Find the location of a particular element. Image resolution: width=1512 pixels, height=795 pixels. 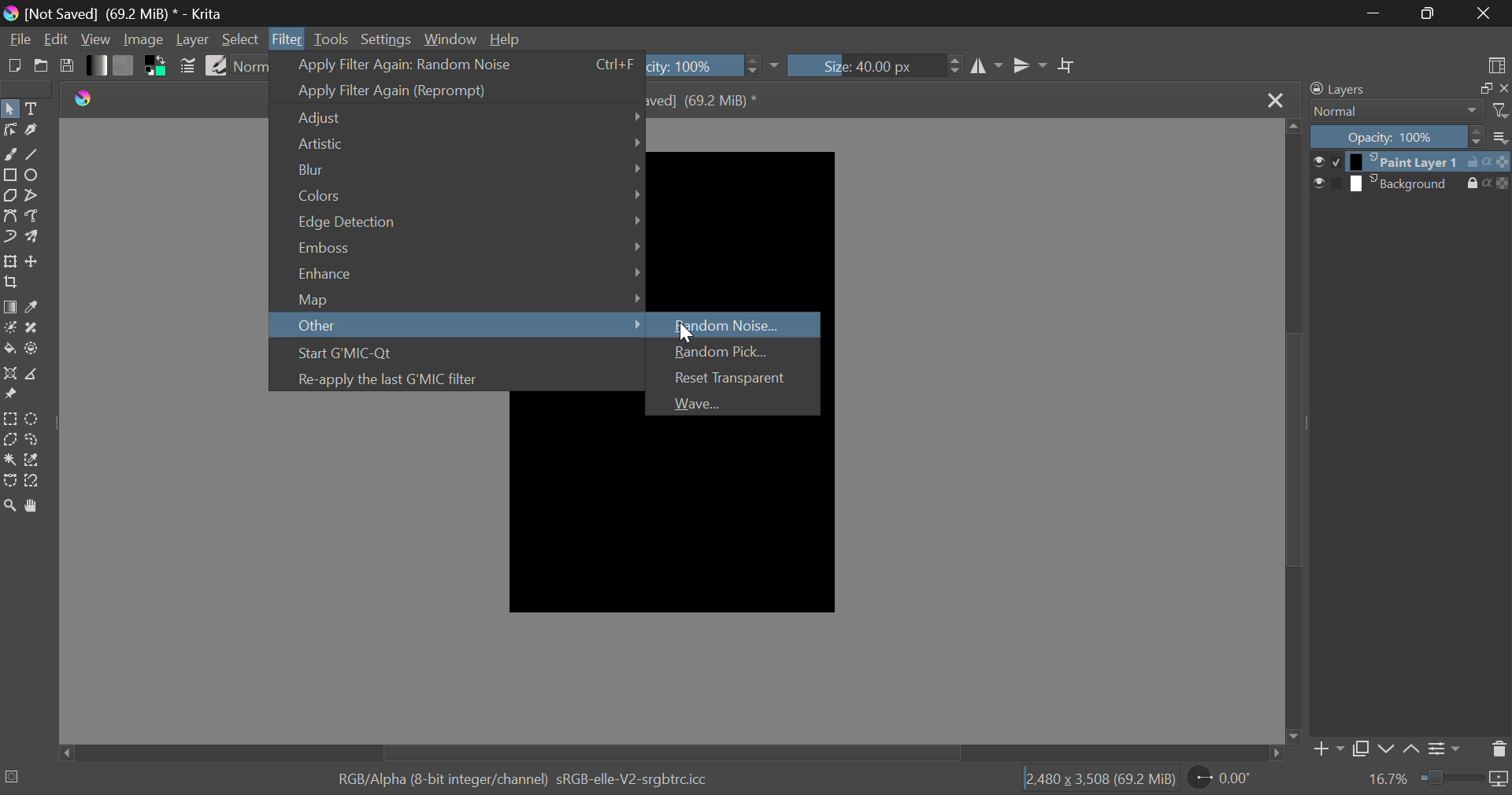

Start GMIC-Qt is located at coordinates (454, 350).